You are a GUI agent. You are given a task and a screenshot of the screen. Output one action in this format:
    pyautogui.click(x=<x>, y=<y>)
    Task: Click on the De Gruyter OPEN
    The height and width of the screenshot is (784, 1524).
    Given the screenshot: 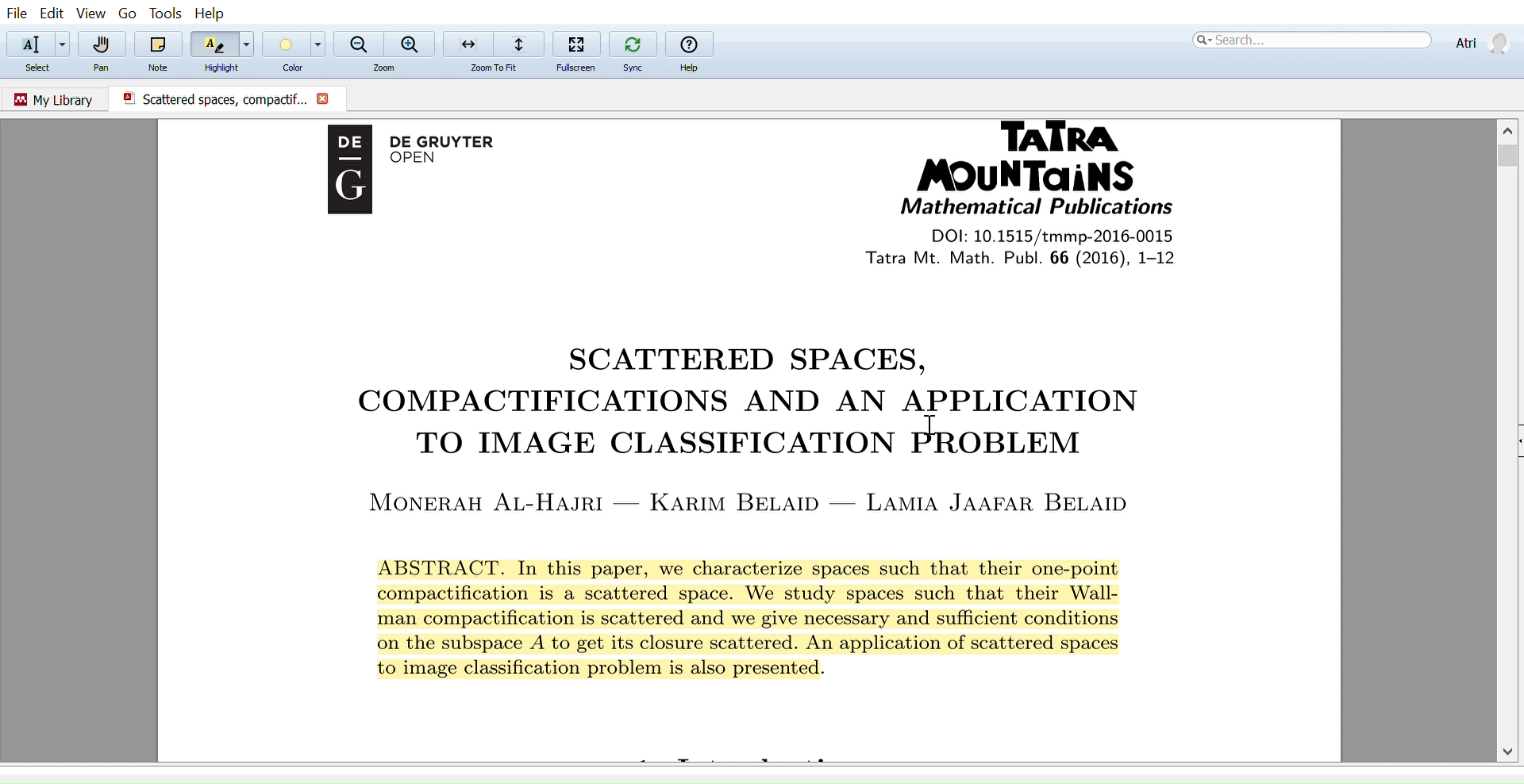 What is the action you would take?
    pyautogui.click(x=458, y=153)
    